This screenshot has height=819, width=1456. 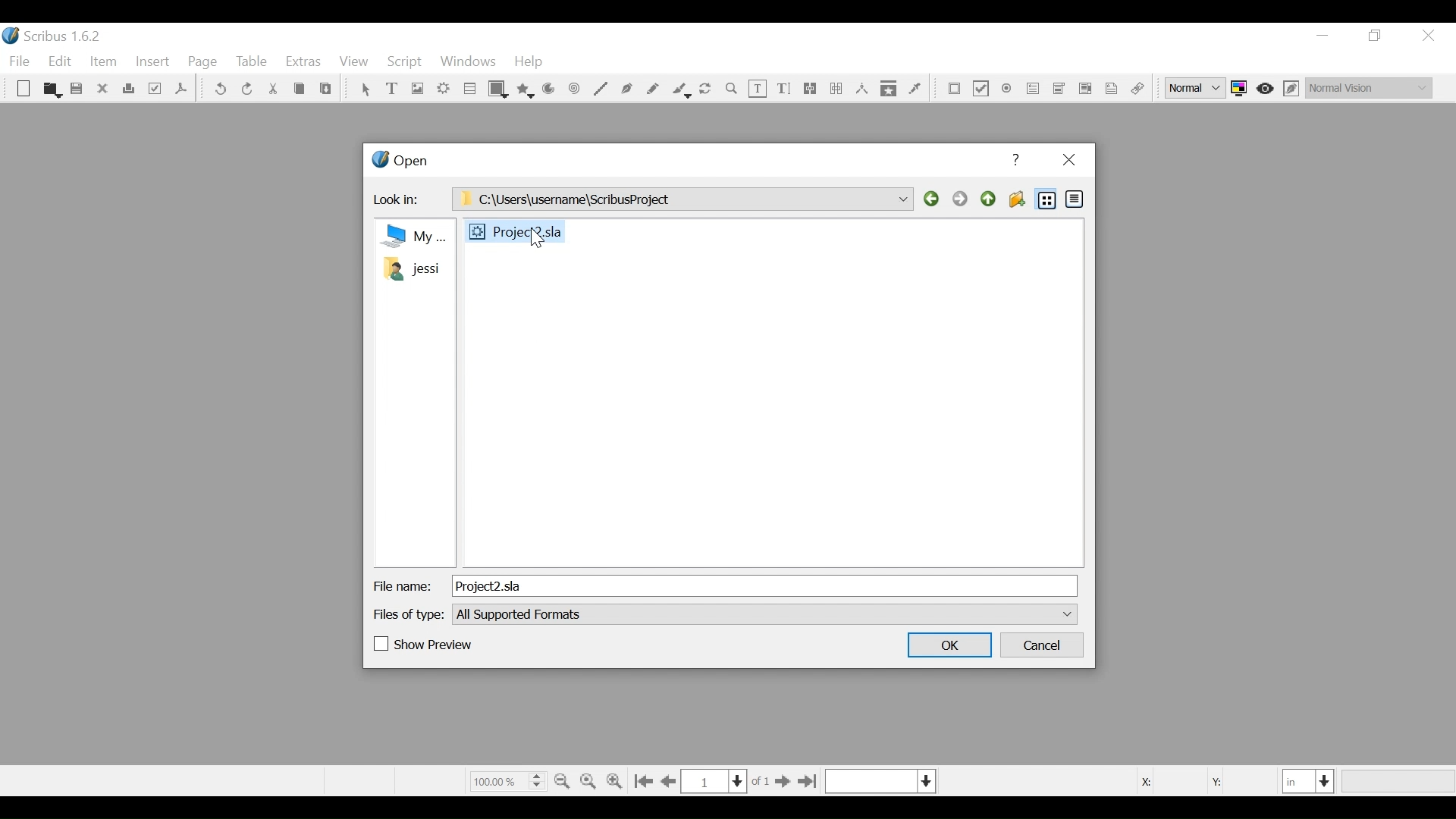 What do you see at coordinates (934, 199) in the screenshot?
I see `Back` at bounding box center [934, 199].